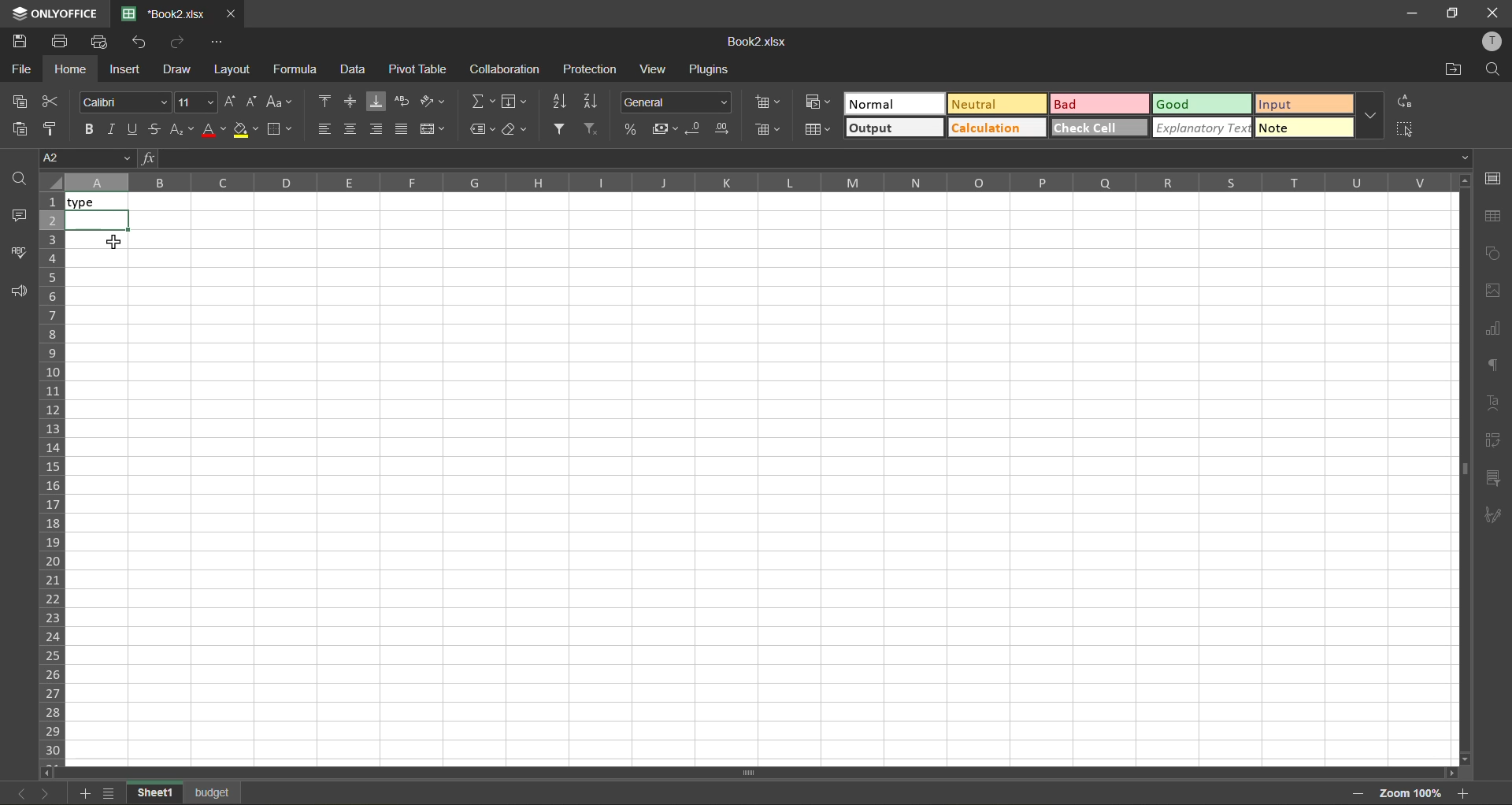 The height and width of the screenshot is (805, 1512). I want to click on spellcheck, so click(20, 256).